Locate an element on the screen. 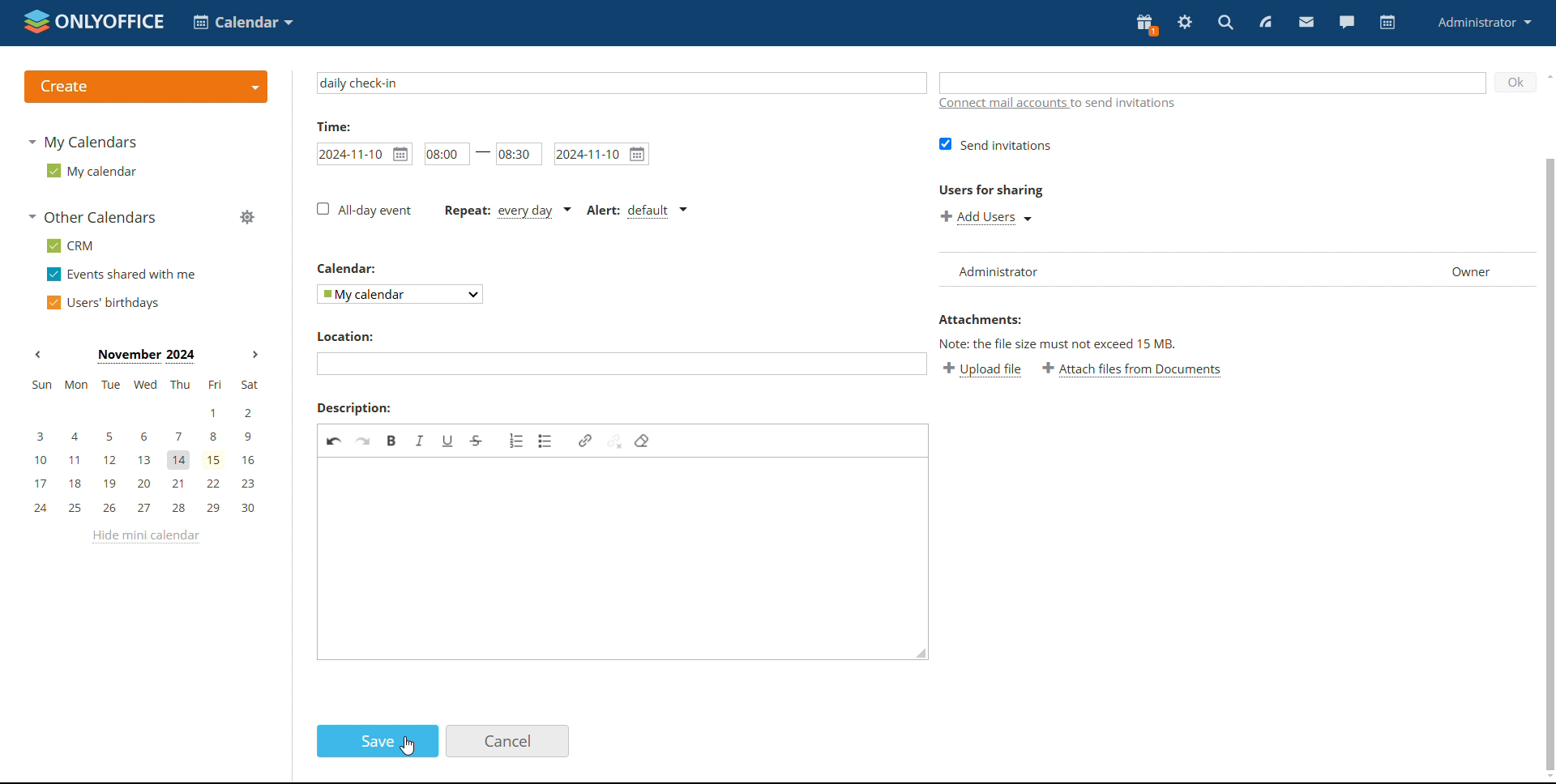 Image resolution: width=1556 pixels, height=784 pixels. scroll up is located at coordinates (1546, 75).